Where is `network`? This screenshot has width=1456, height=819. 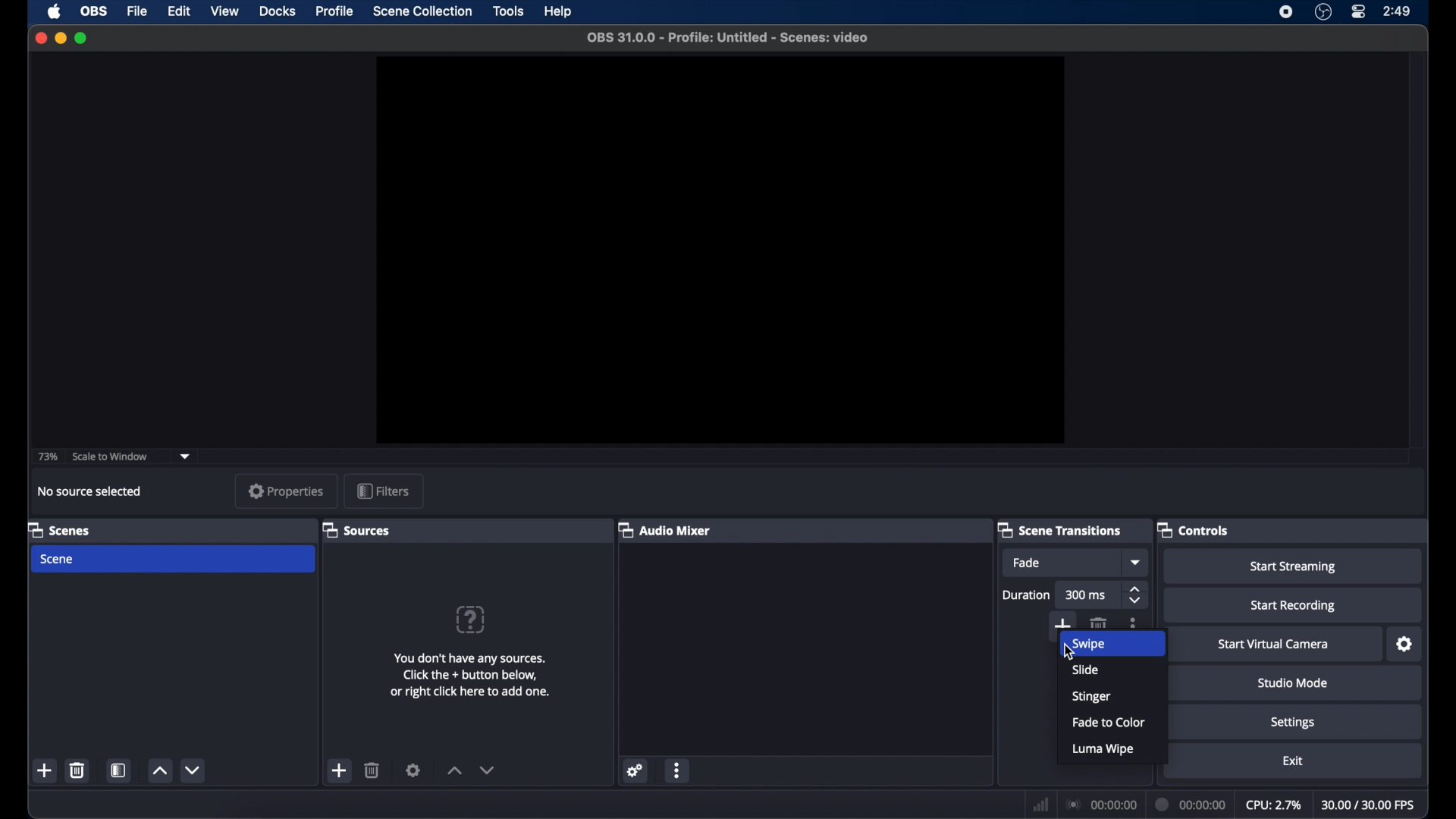 network is located at coordinates (1039, 805).